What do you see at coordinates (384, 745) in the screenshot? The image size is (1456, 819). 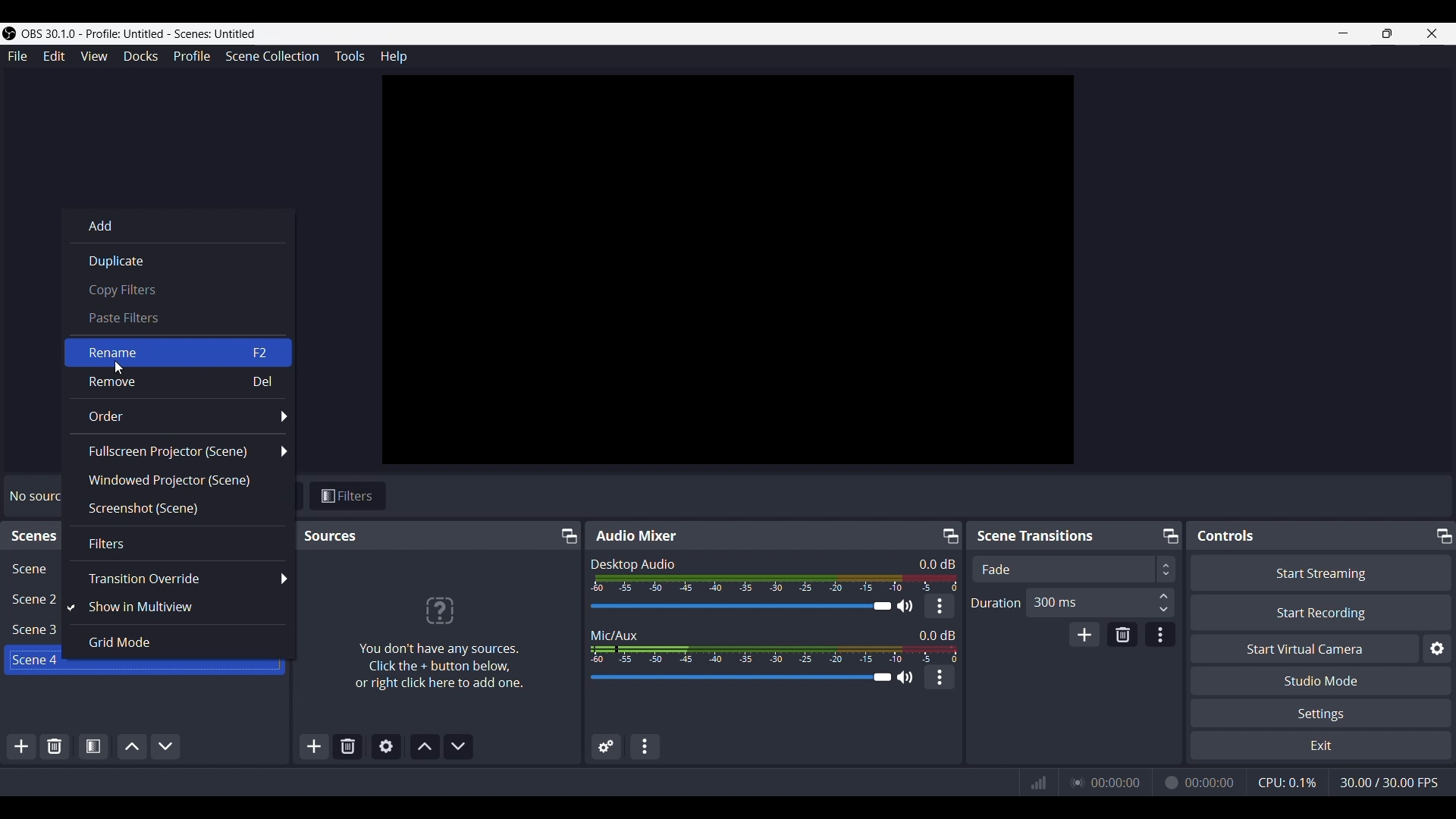 I see `Open source properties` at bounding box center [384, 745].